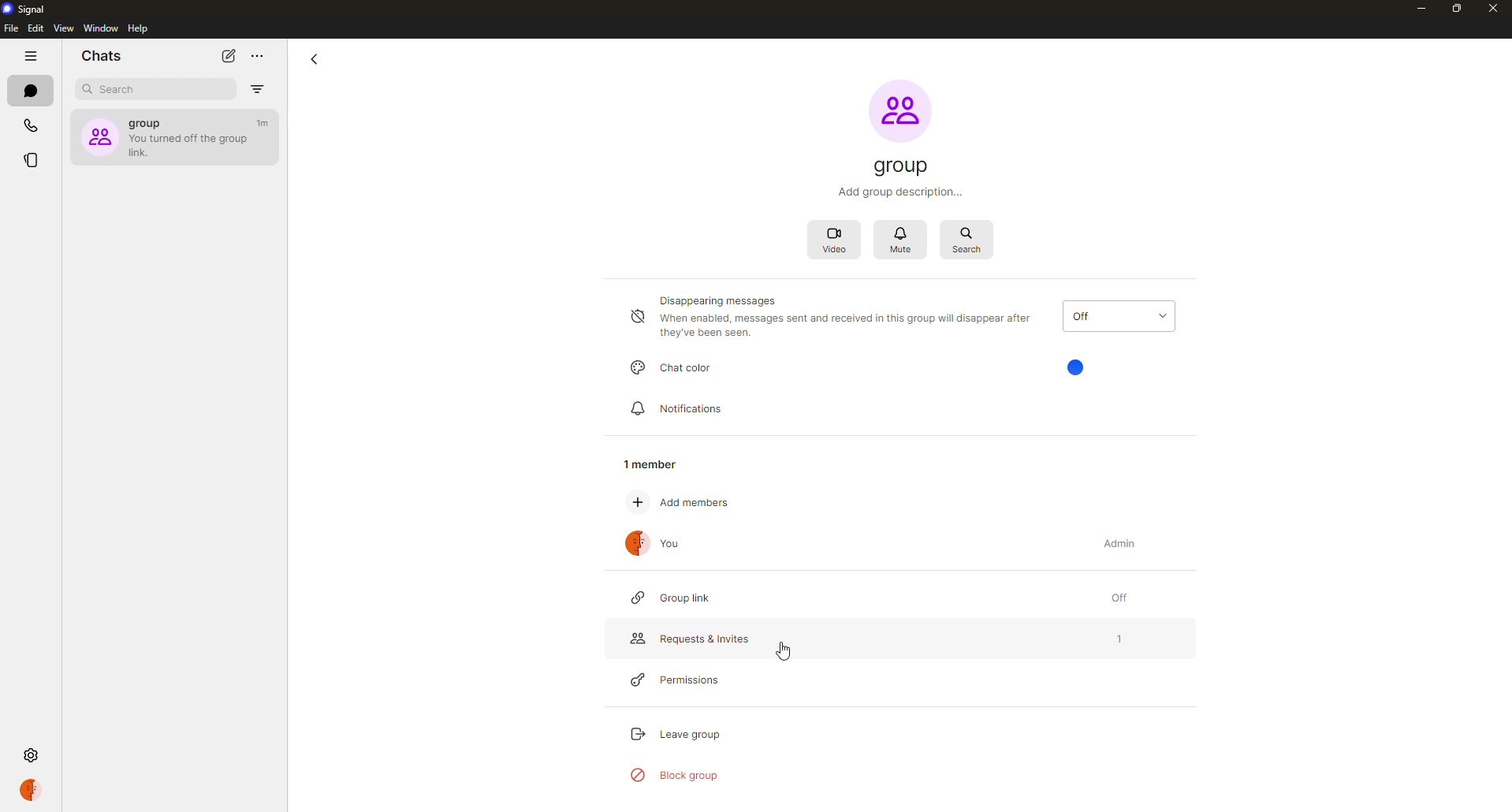 The height and width of the screenshot is (812, 1512). I want to click on group link, so click(676, 598).